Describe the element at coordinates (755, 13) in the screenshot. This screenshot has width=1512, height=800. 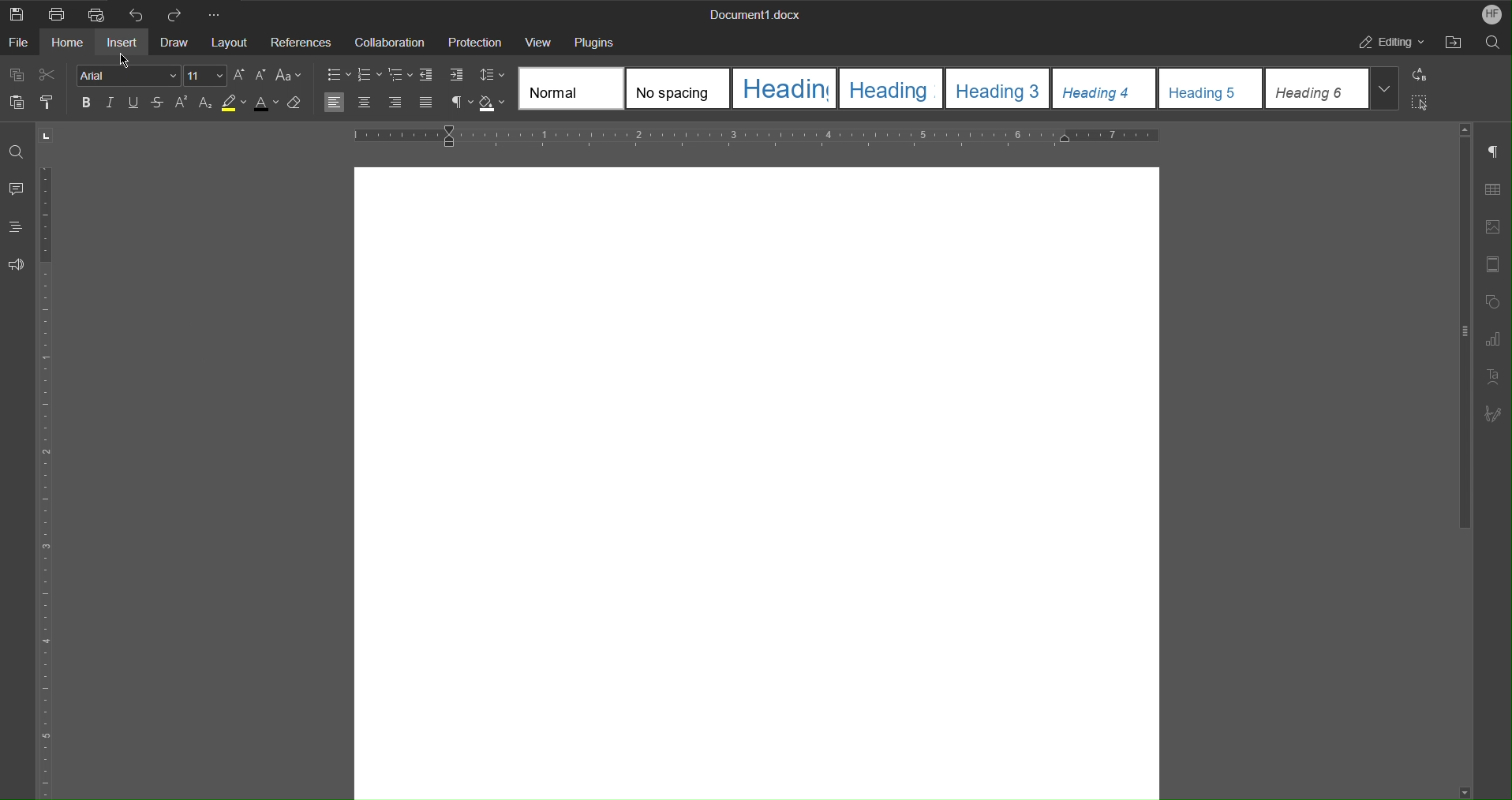
I see `Document Title` at that location.